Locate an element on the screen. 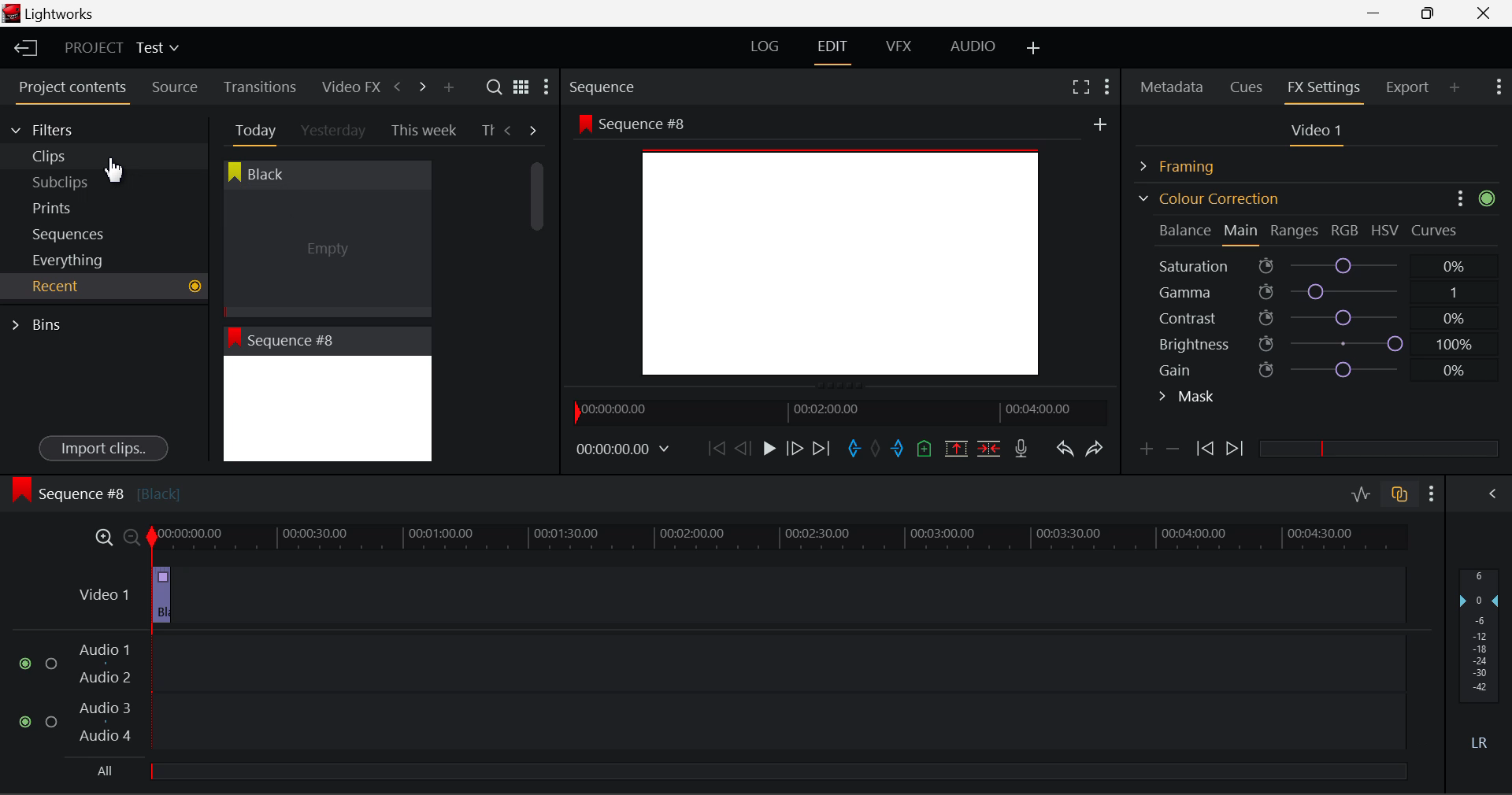  Sequence #8 is located at coordinates (95, 490).